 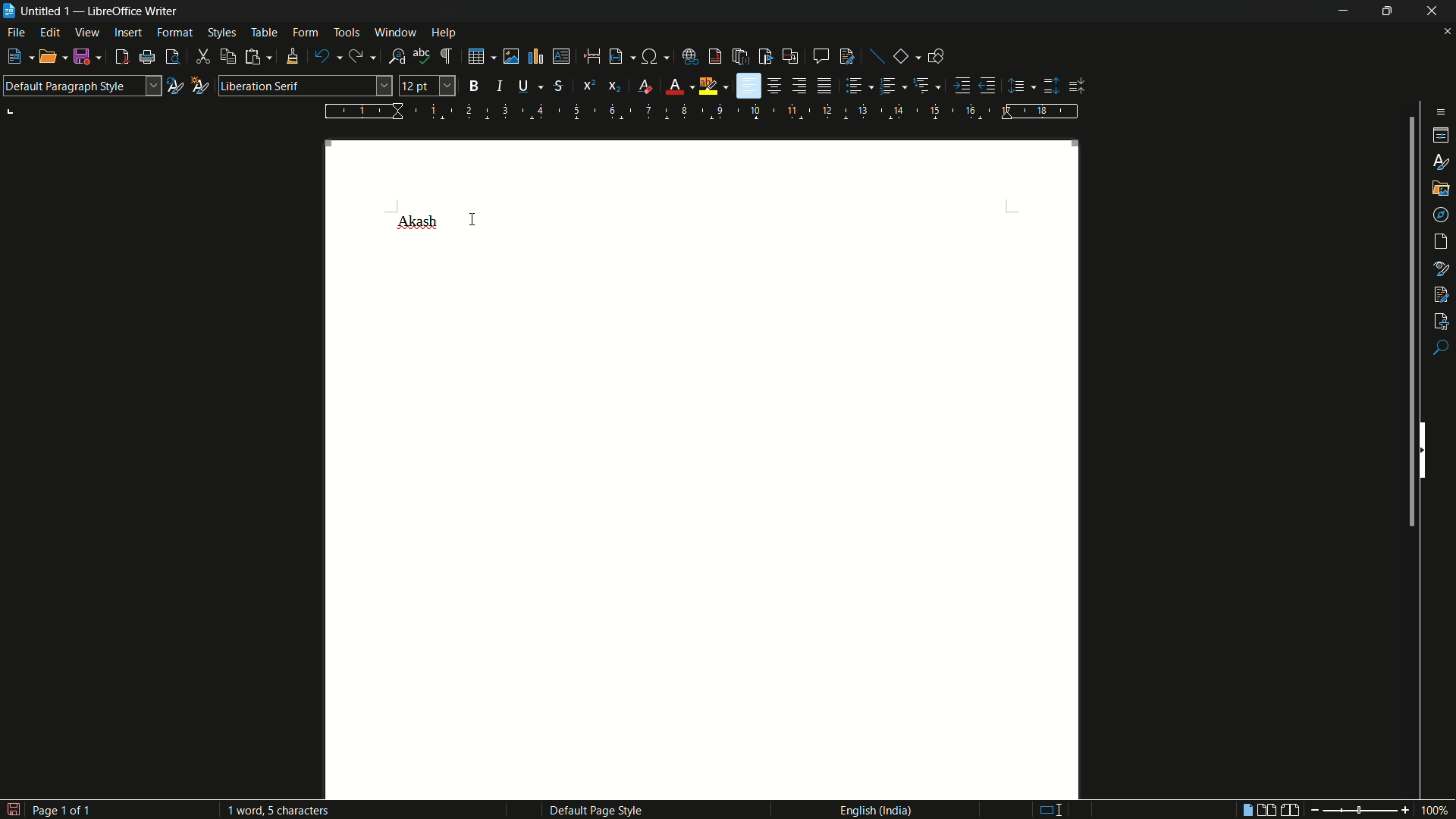 I want to click on navigator, so click(x=1442, y=214).